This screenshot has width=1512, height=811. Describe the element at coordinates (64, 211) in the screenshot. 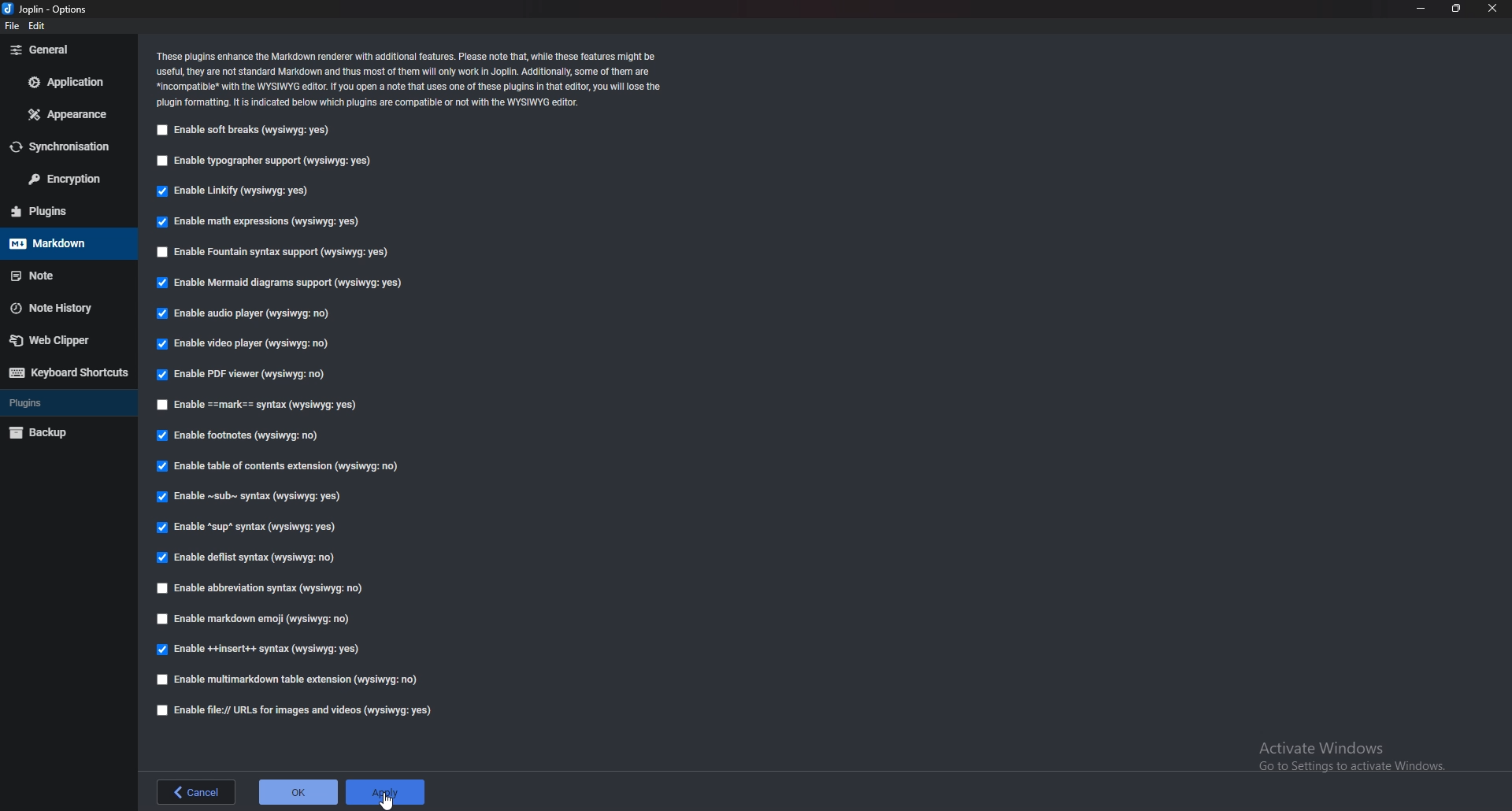

I see `plugins` at that location.